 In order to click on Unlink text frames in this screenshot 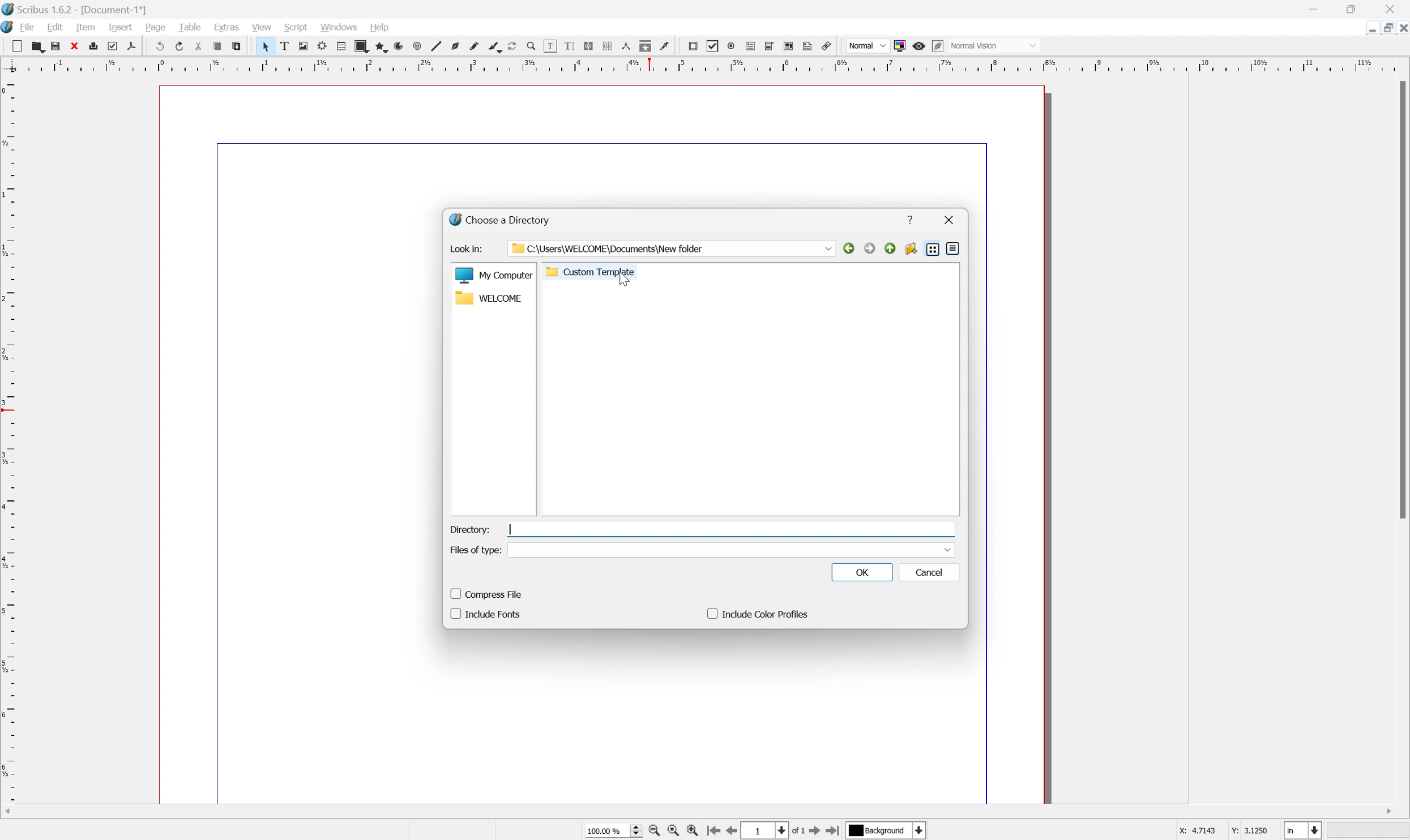, I will do `click(608, 45)`.